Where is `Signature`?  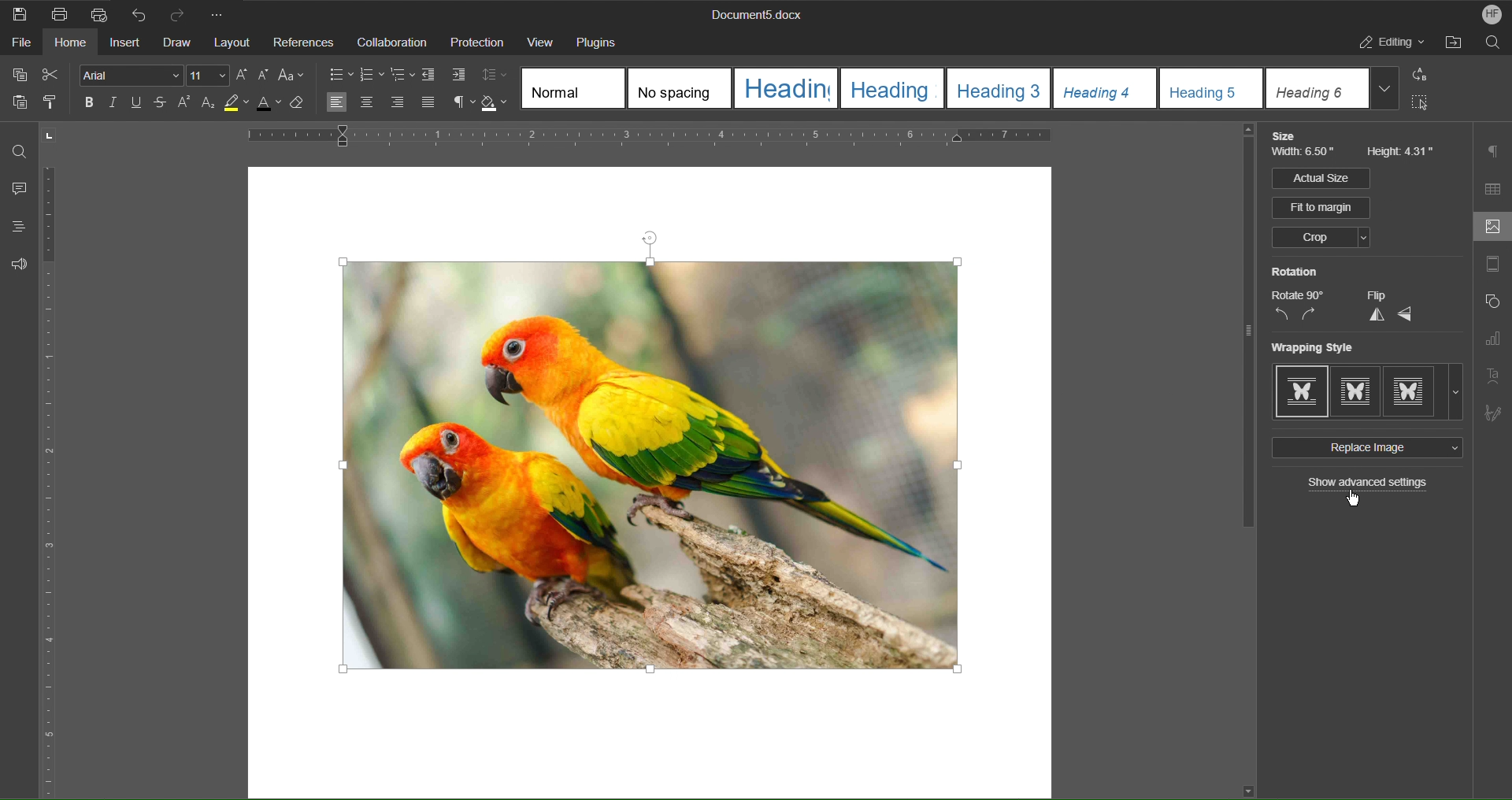
Signature is located at coordinates (1493, 409).